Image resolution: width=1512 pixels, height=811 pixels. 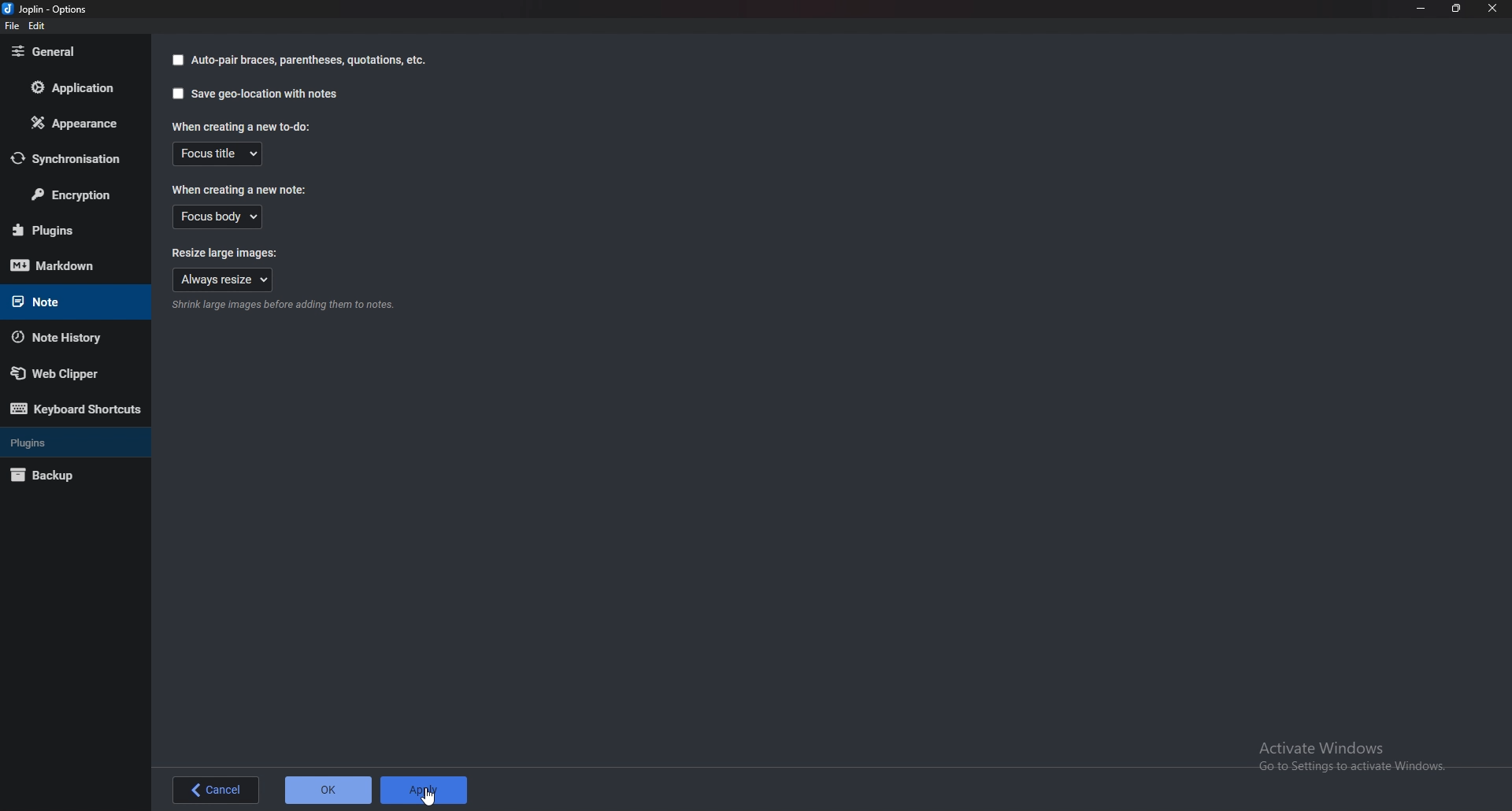 I want to click on Plugin, so click(x=70, y=231).